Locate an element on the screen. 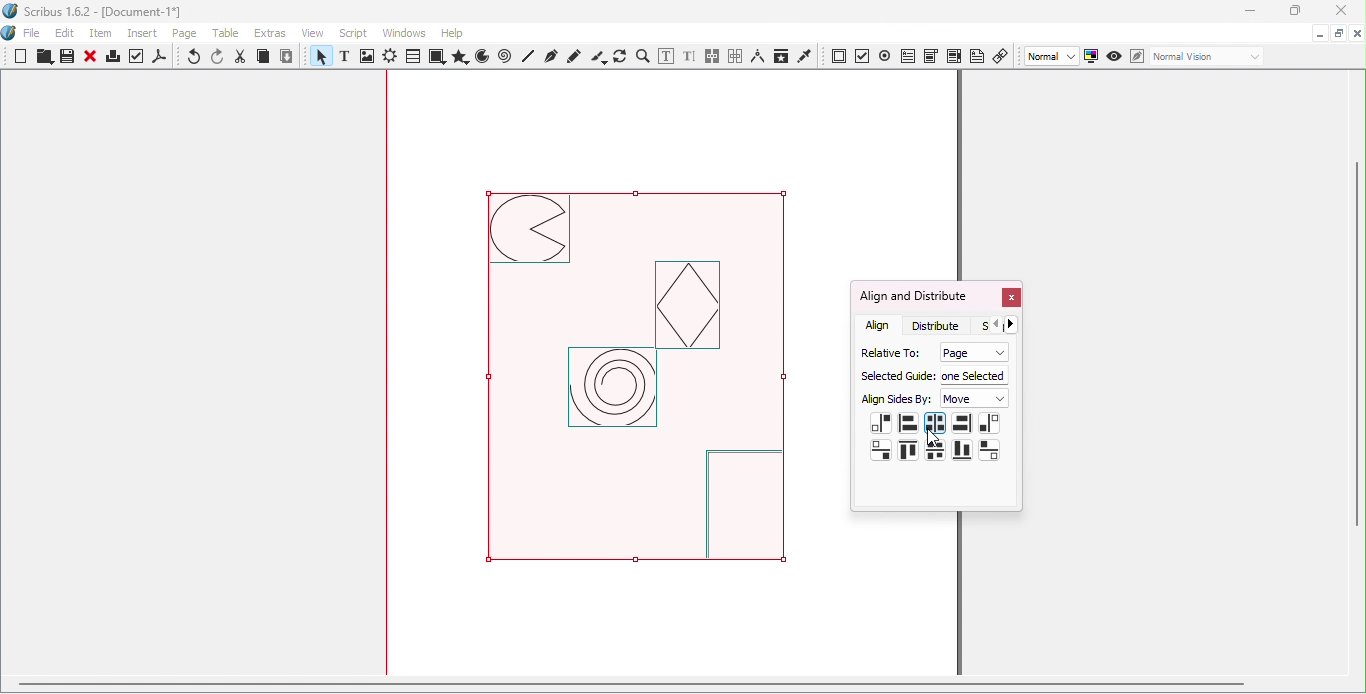 The height and width of the screenshot is (694, 1366). Link annotation is located at coordinates (1002, 55).